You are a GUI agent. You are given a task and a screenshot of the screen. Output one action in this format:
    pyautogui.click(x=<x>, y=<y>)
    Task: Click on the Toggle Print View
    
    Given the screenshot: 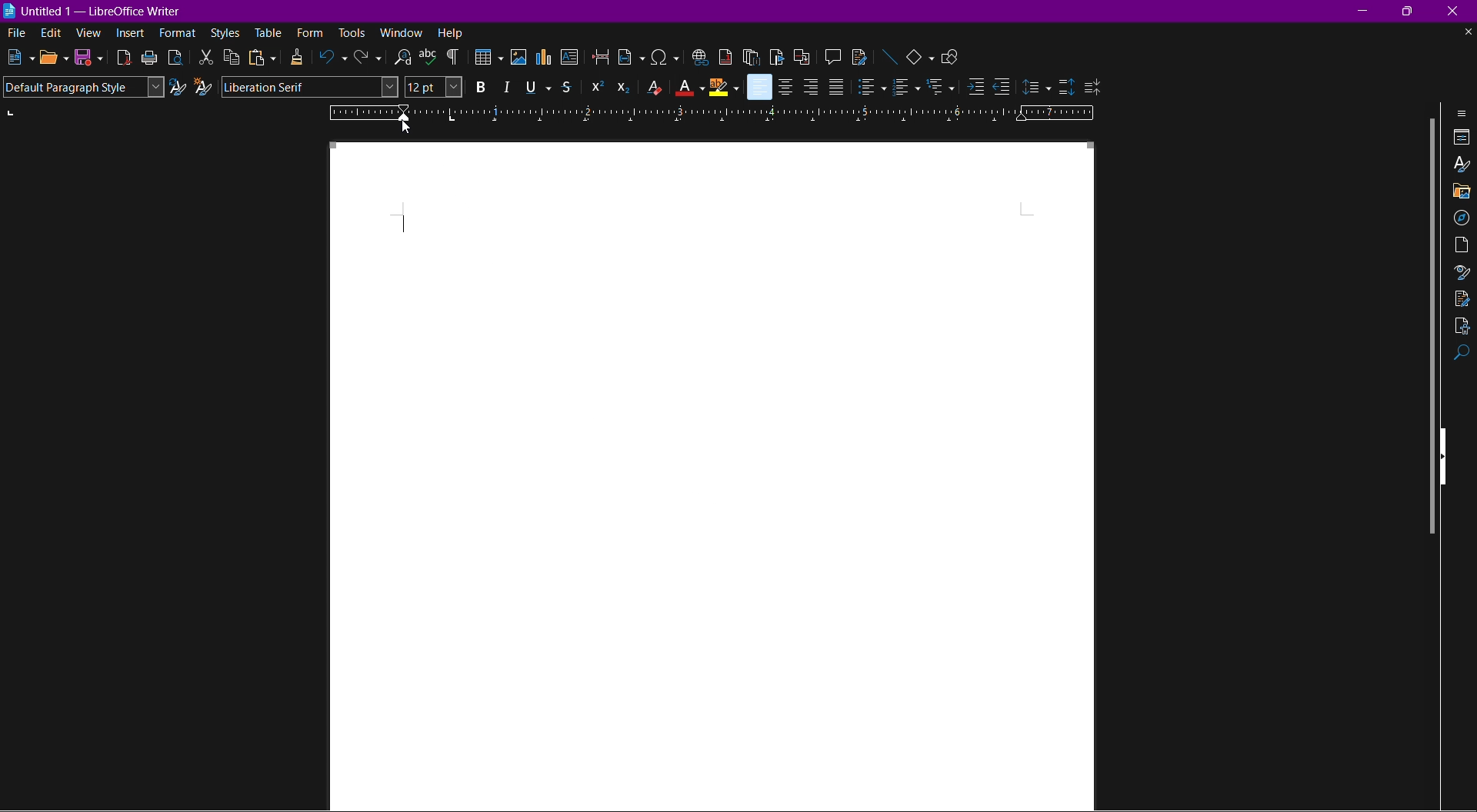 What is the action you would take?
    pyautogui.click(x=174, y=57)
    